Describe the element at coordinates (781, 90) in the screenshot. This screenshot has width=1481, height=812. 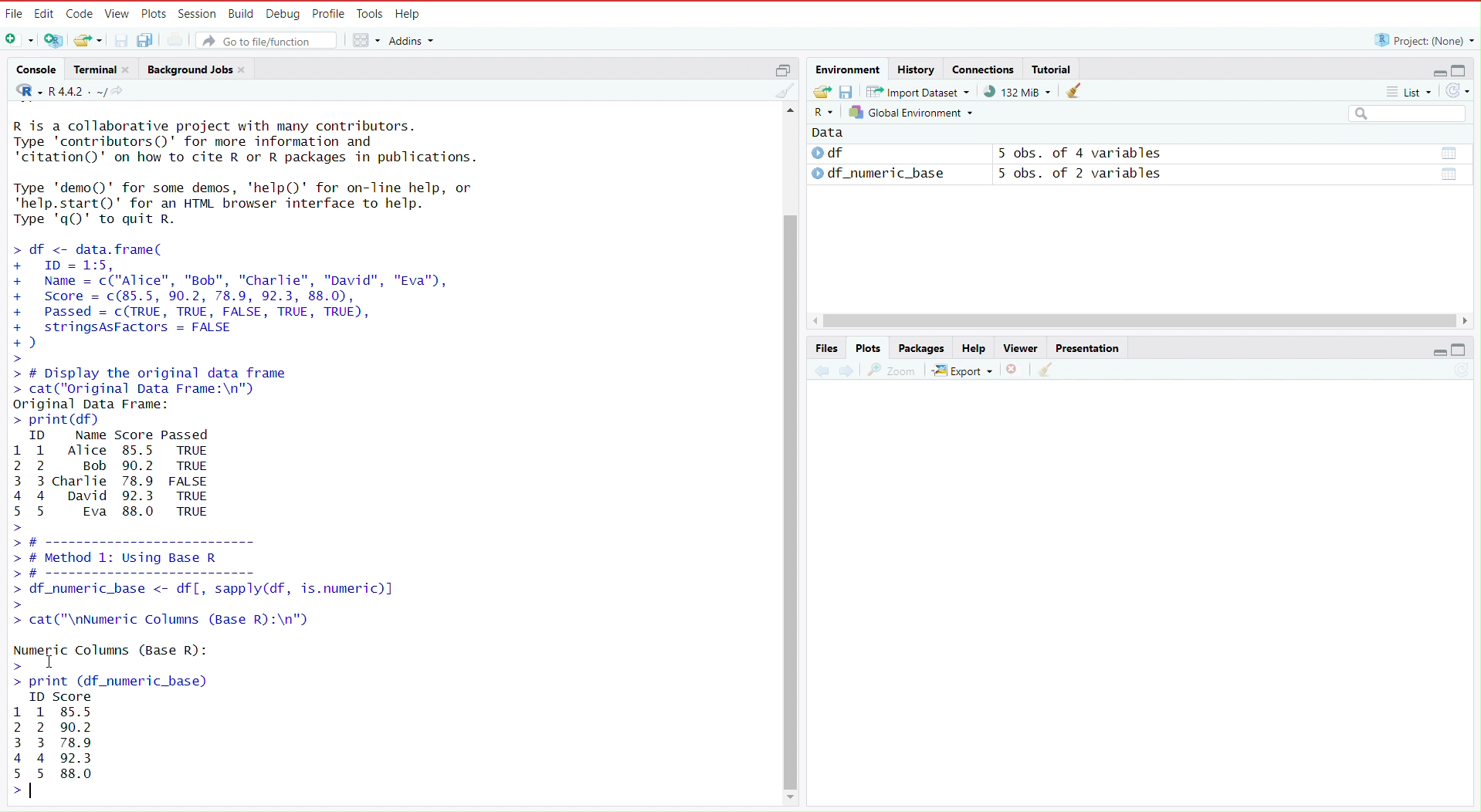
I see `clear console` at that location.